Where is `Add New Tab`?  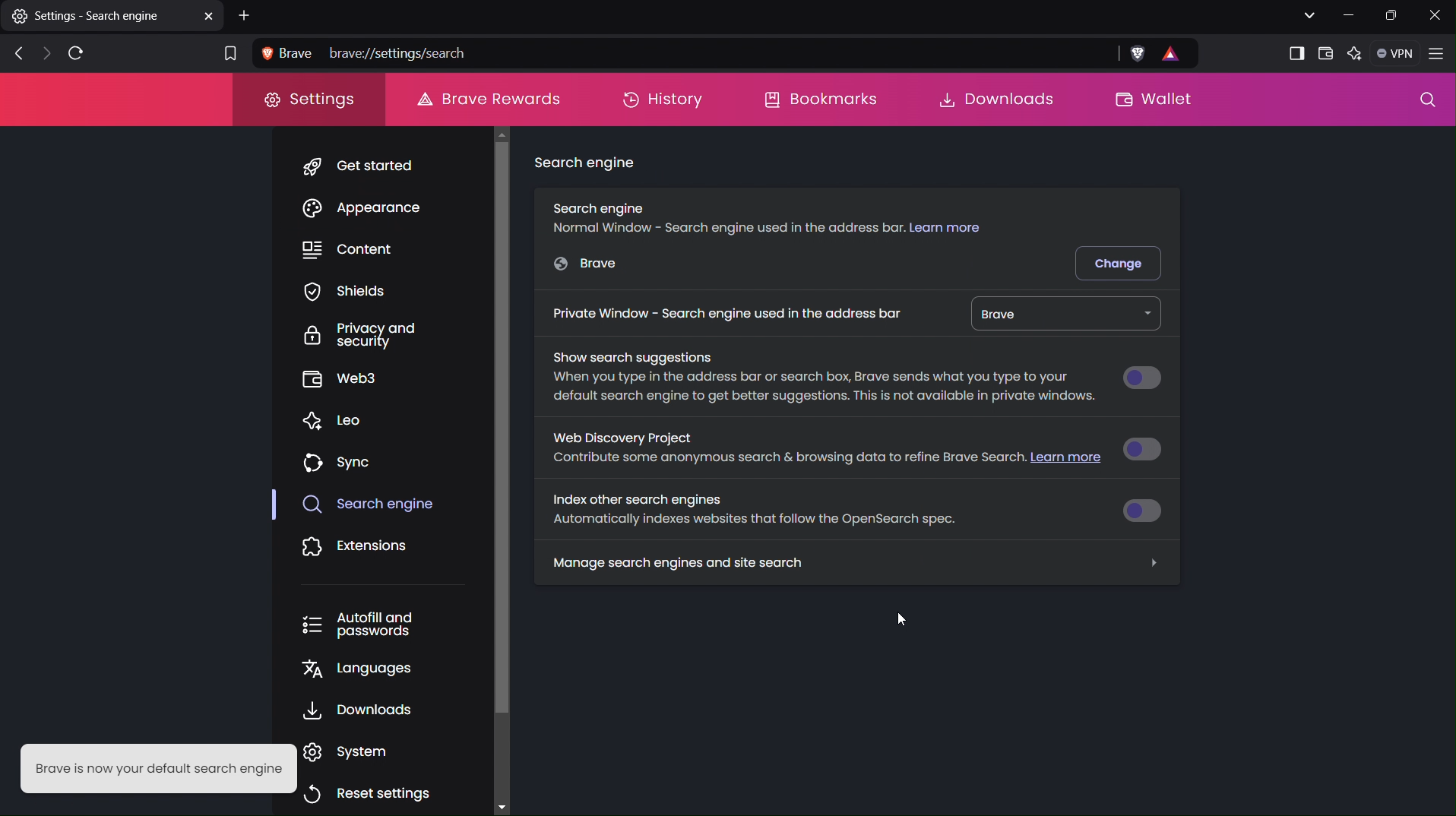
Add New Tab is located at coordinates (246, 16).